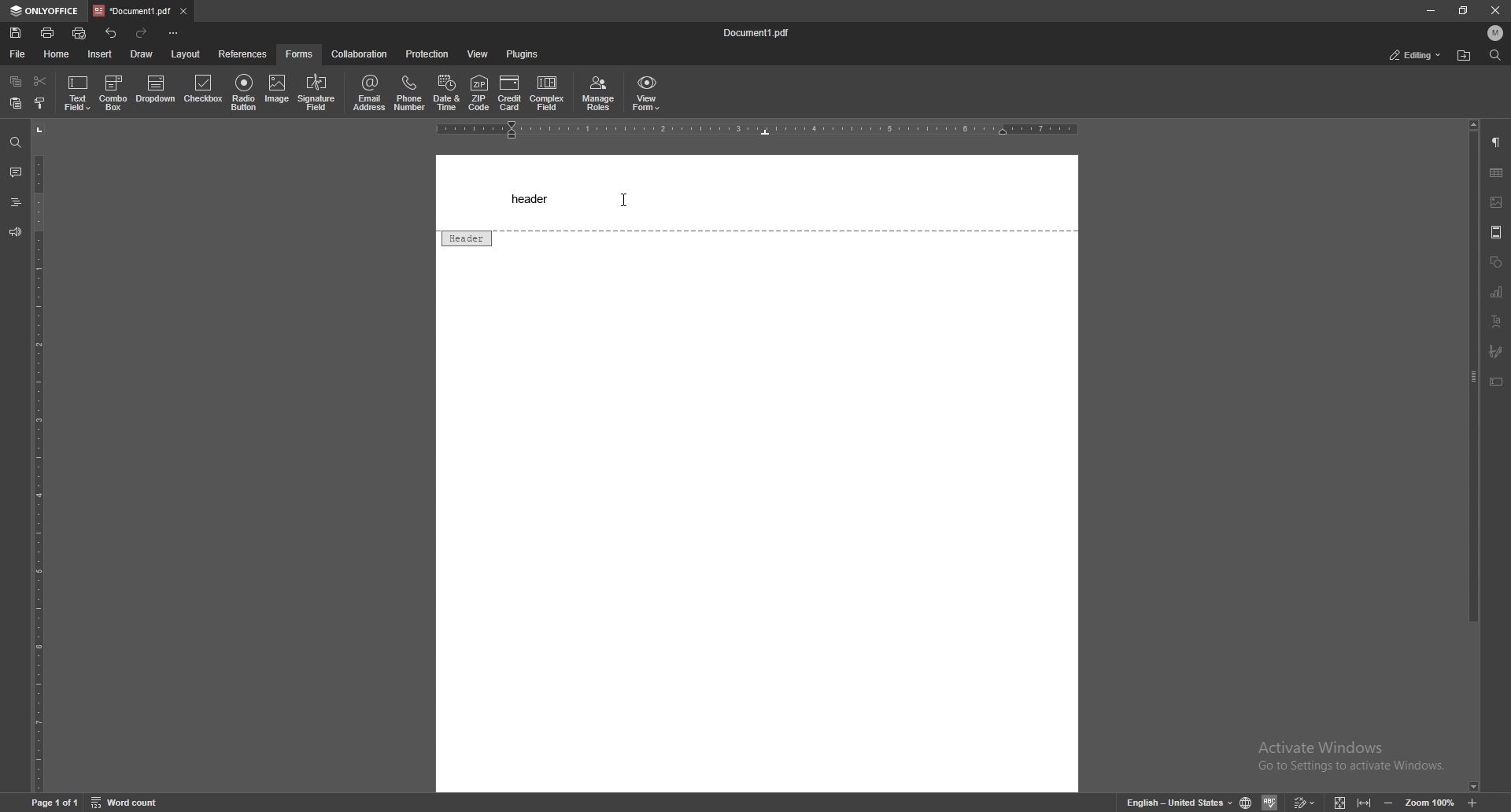 This screenshot has width=1511, height=812. Describe the element at coordinates (1365, 803) in the screenshot. I see `fit to width` at that location.